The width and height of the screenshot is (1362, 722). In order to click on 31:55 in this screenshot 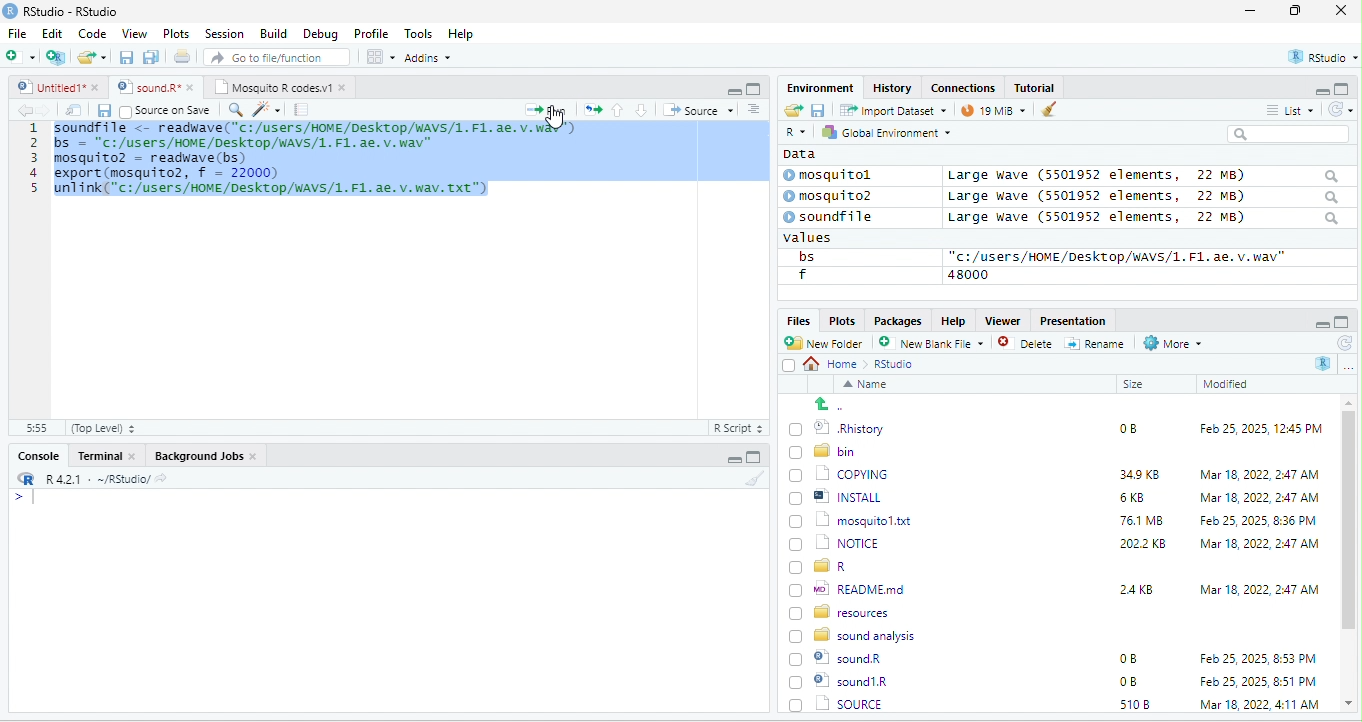, I will do `click(34, 428)`.